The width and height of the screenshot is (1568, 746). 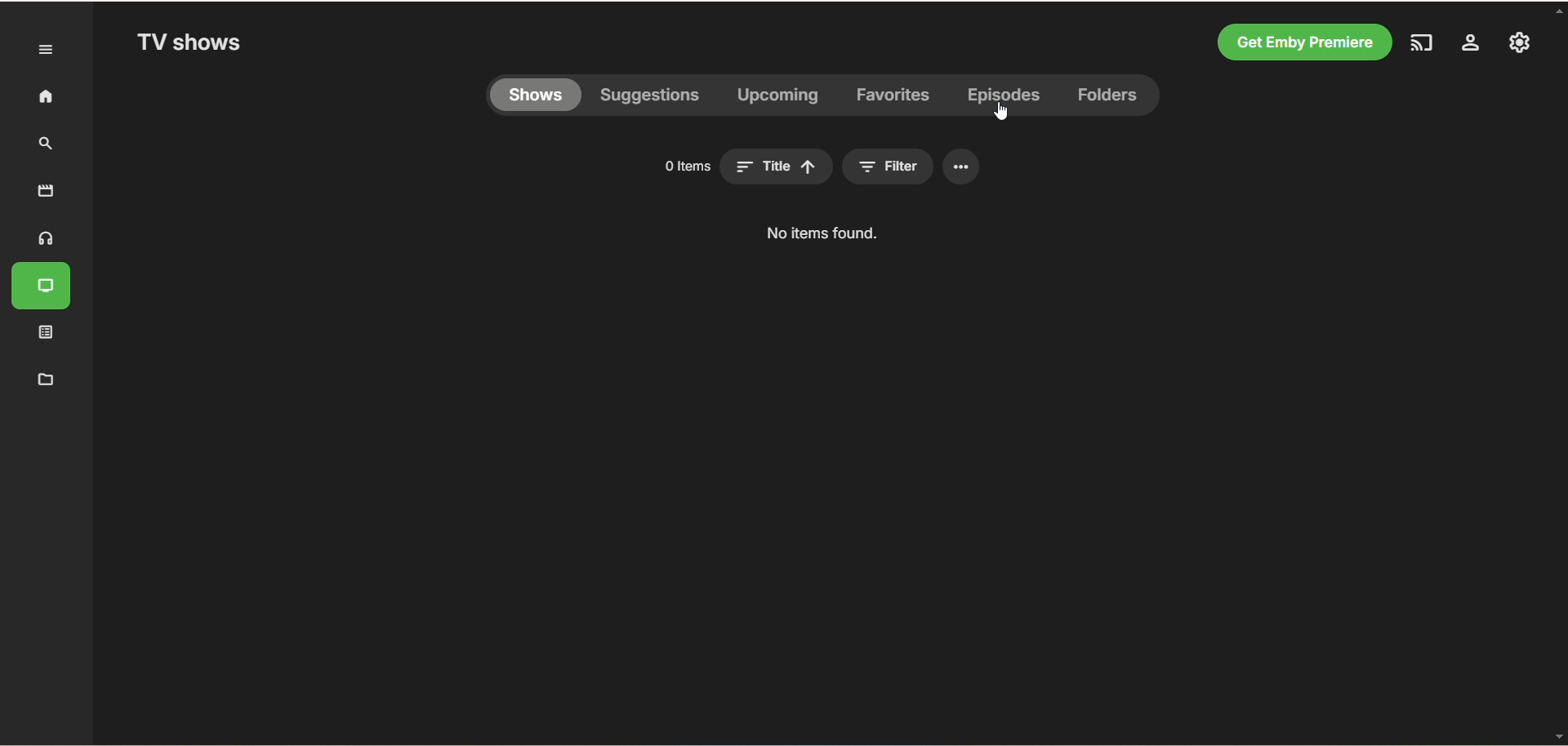 What do you see at coordinates (40, 97) in the screenshot?
I see `home` at bounding box center [40, 97].